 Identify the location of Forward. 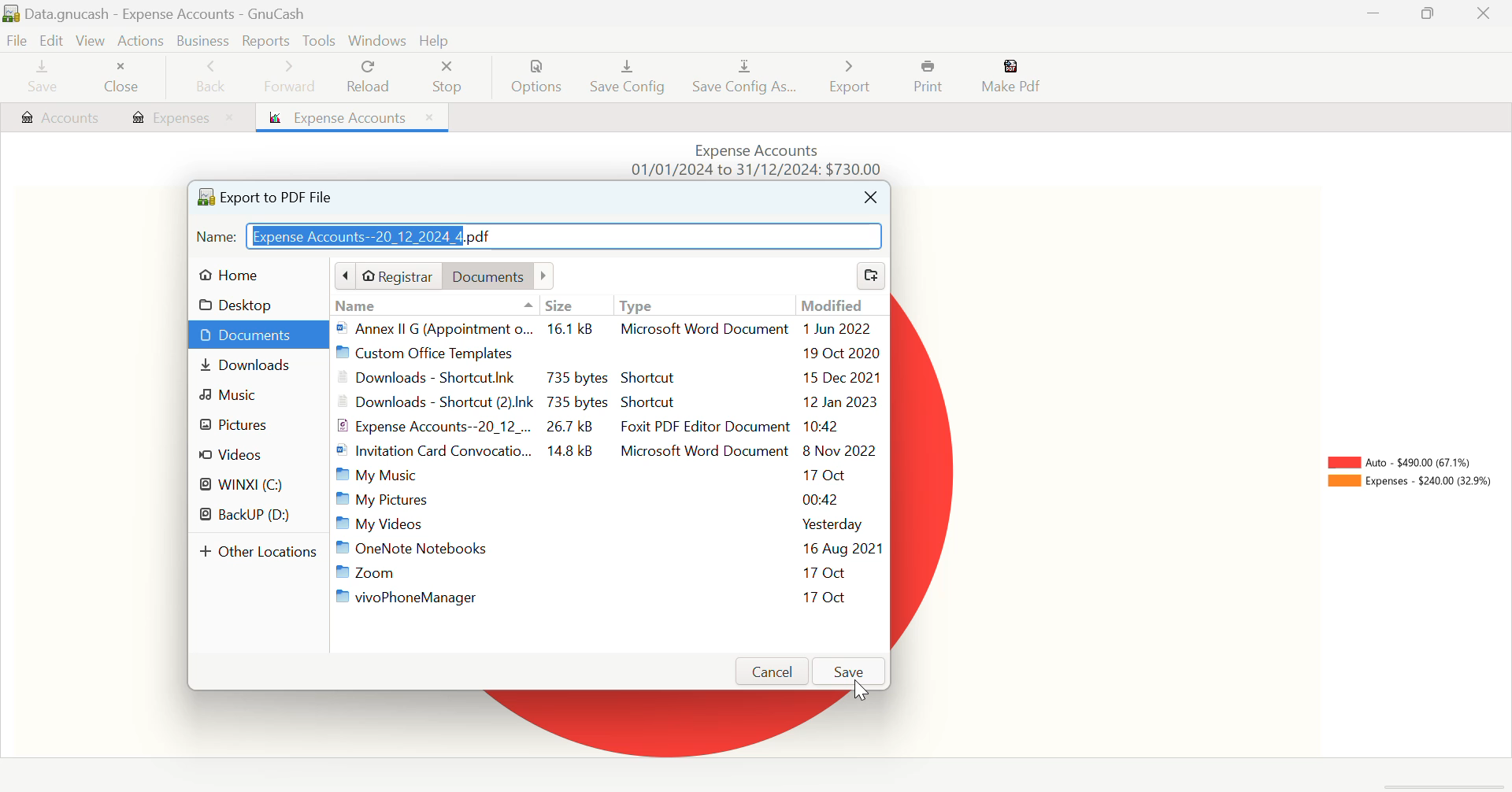
(291, 80).